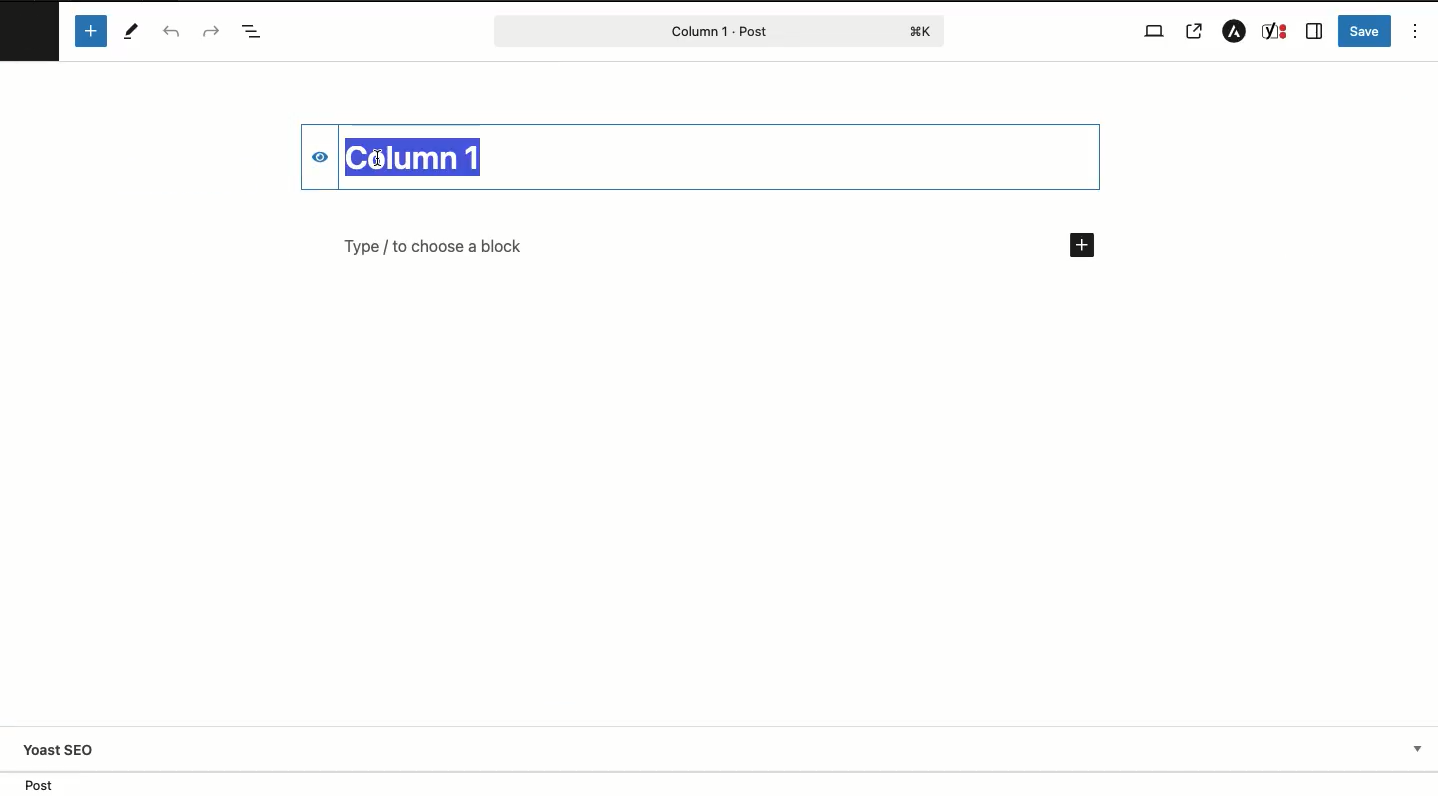  I want to click on Tools, so click(133, 31).